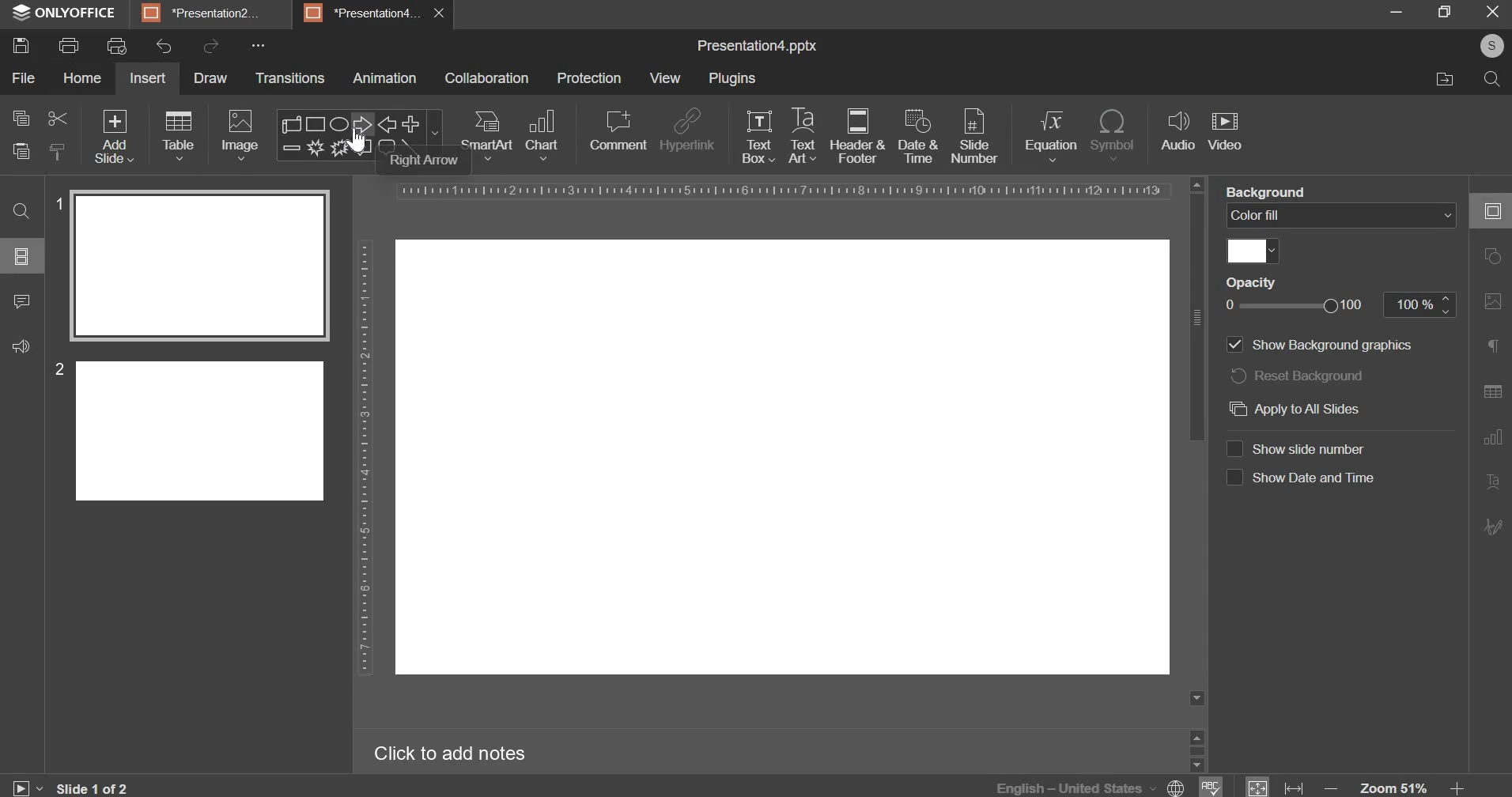 This screenshot has height=797, width=1512. I want to click on insert, so click(148, 78).